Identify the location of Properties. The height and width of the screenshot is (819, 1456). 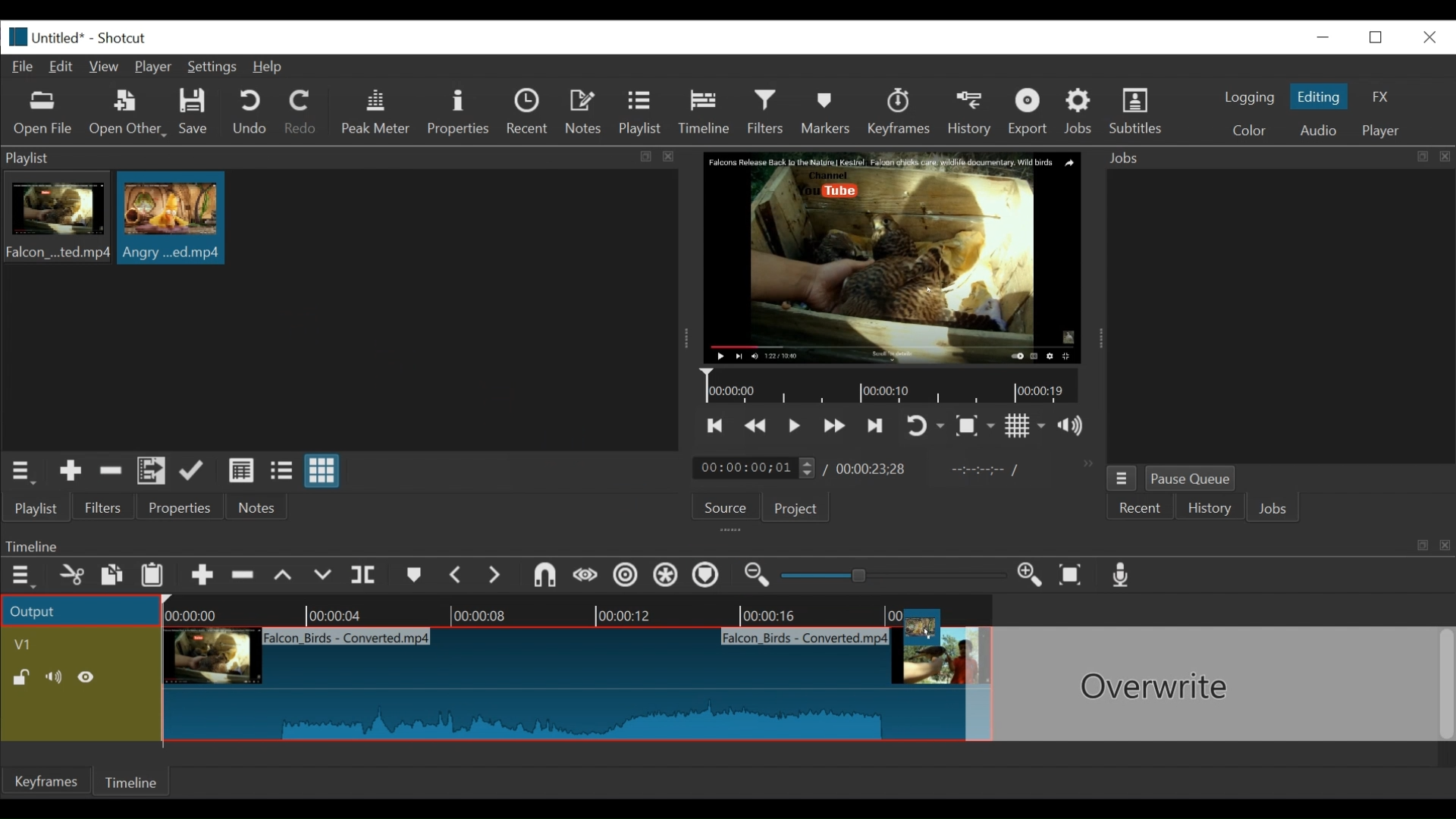
(460, 112).